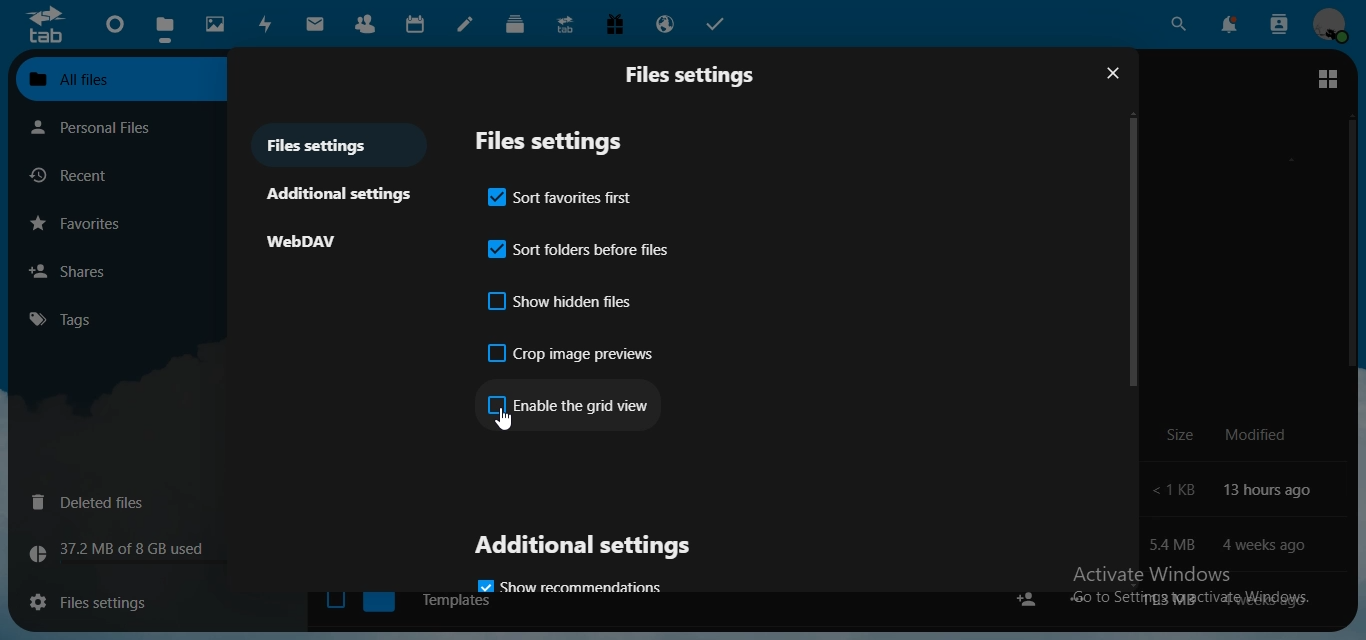 This screenshot has height=640, width=1366. I want to click on text, so click(1262, 544).